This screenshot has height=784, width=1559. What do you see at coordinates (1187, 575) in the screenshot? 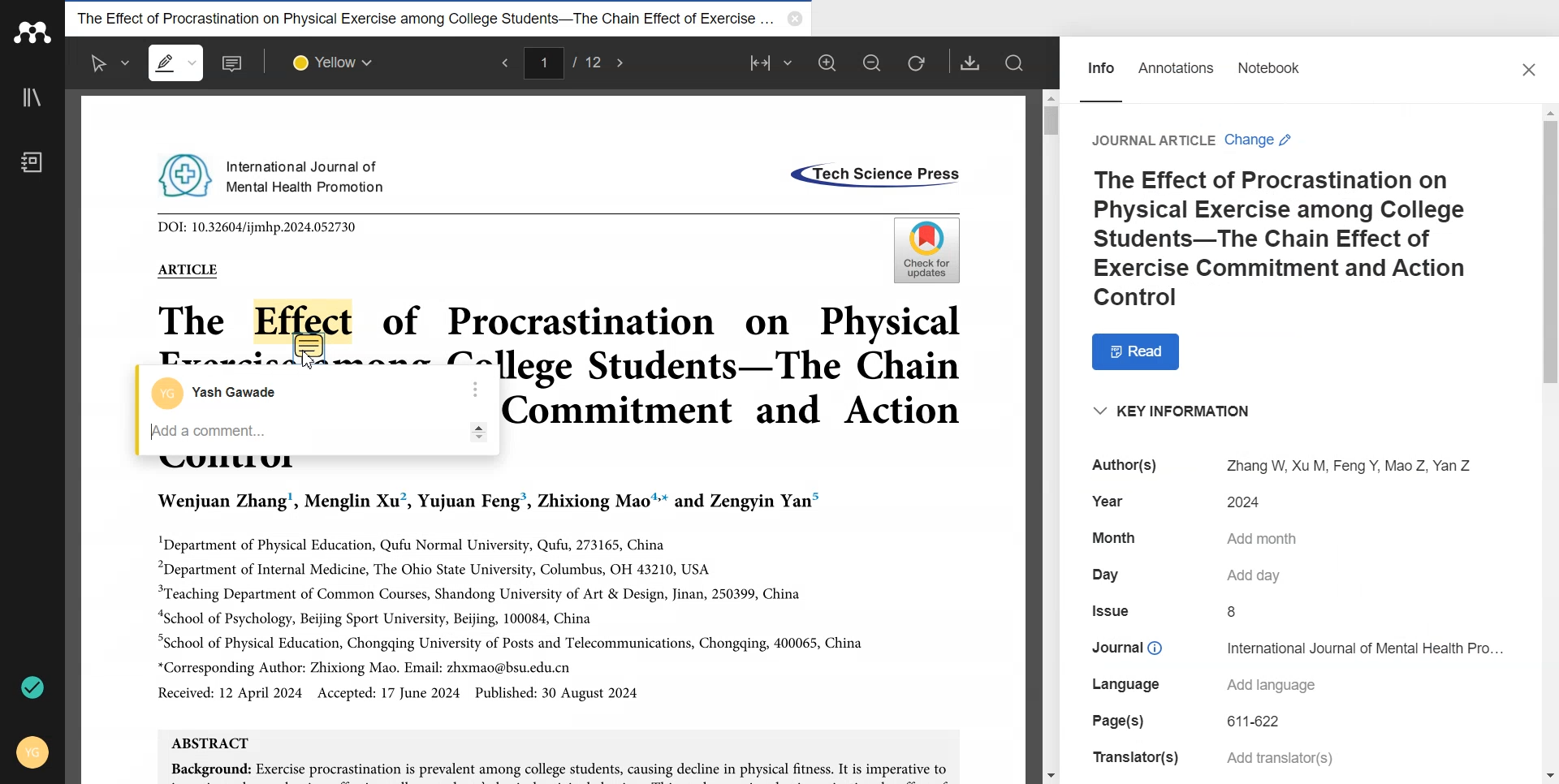
I see `Day Add day` at bounding box center [1187, 575].